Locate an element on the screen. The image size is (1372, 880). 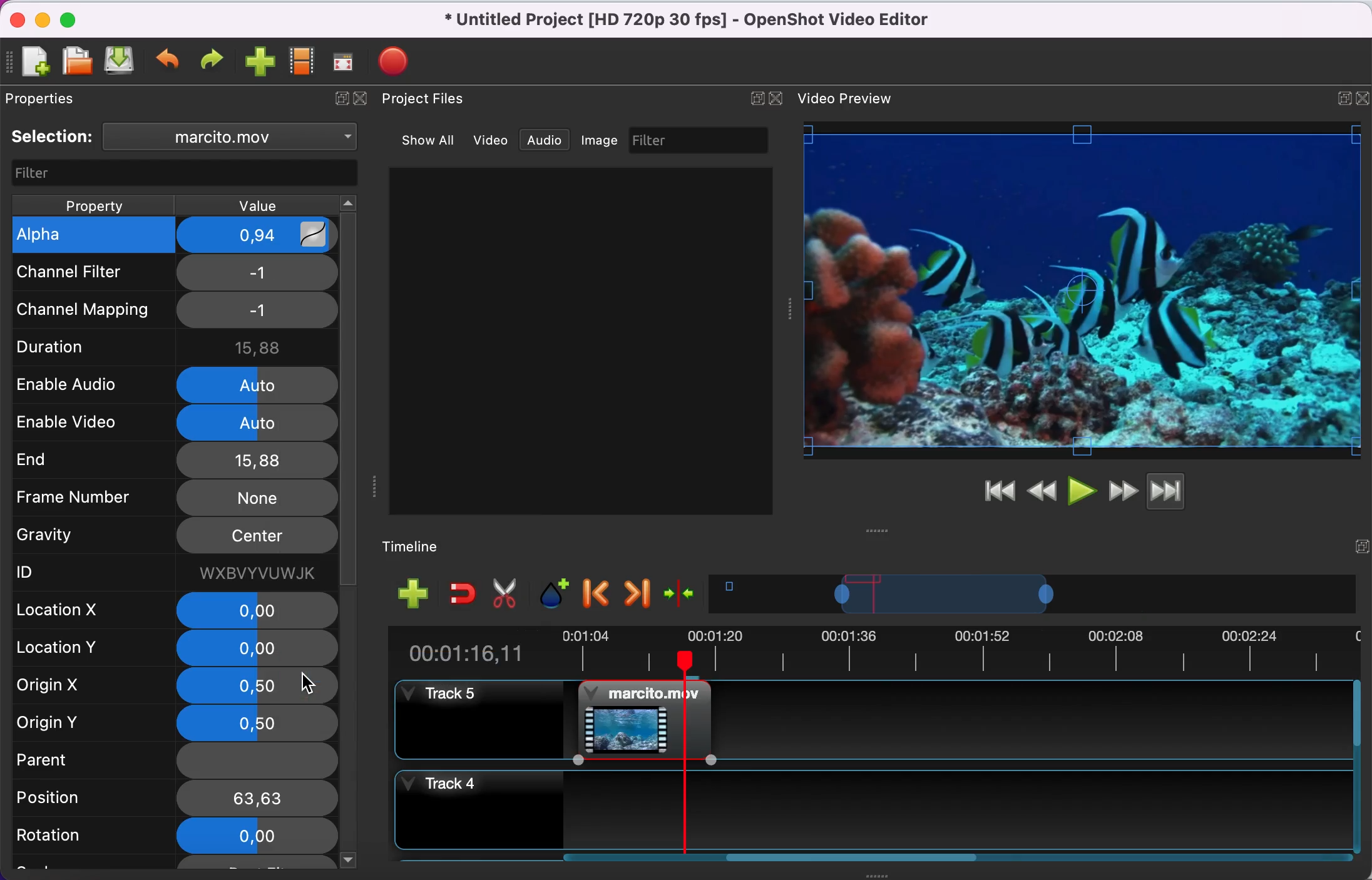
Project Files is located at coordinates (424, 98).